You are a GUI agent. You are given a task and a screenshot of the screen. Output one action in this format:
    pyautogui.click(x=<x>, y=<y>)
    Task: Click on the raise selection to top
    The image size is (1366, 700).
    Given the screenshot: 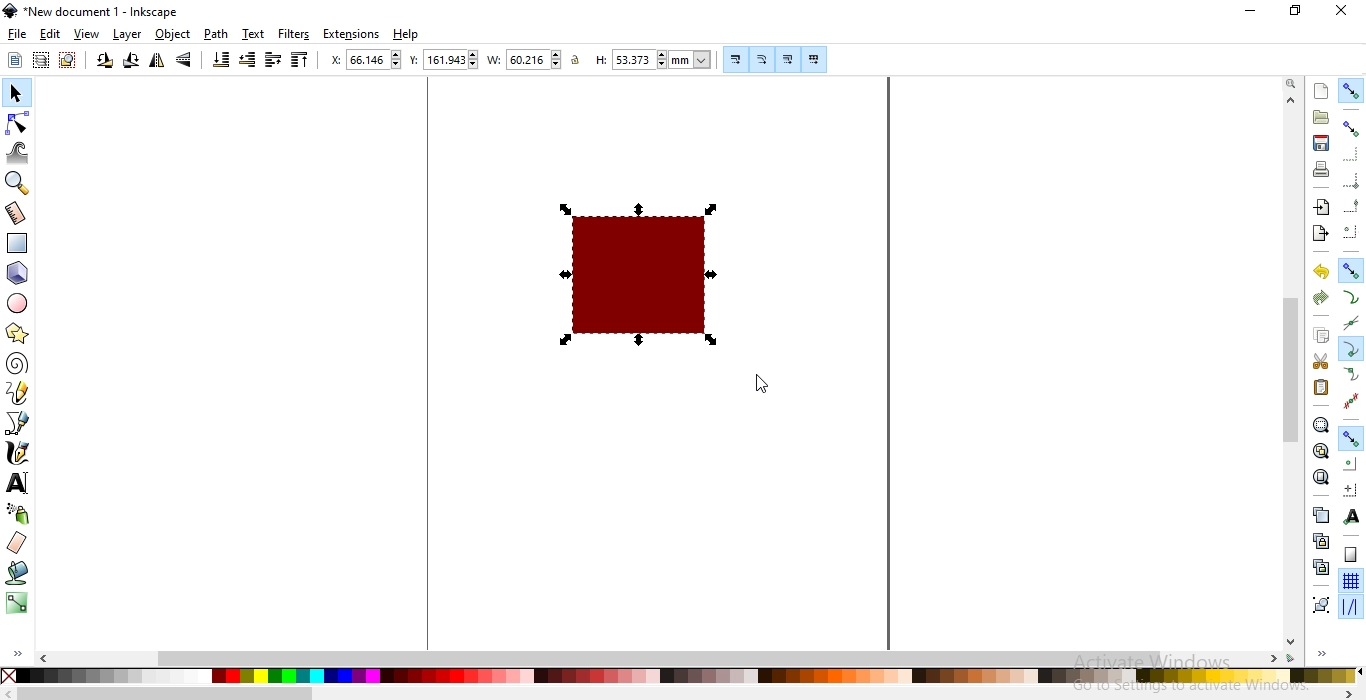 What is the action you would take?
    pyautogui.click(x=297, y=61)
    